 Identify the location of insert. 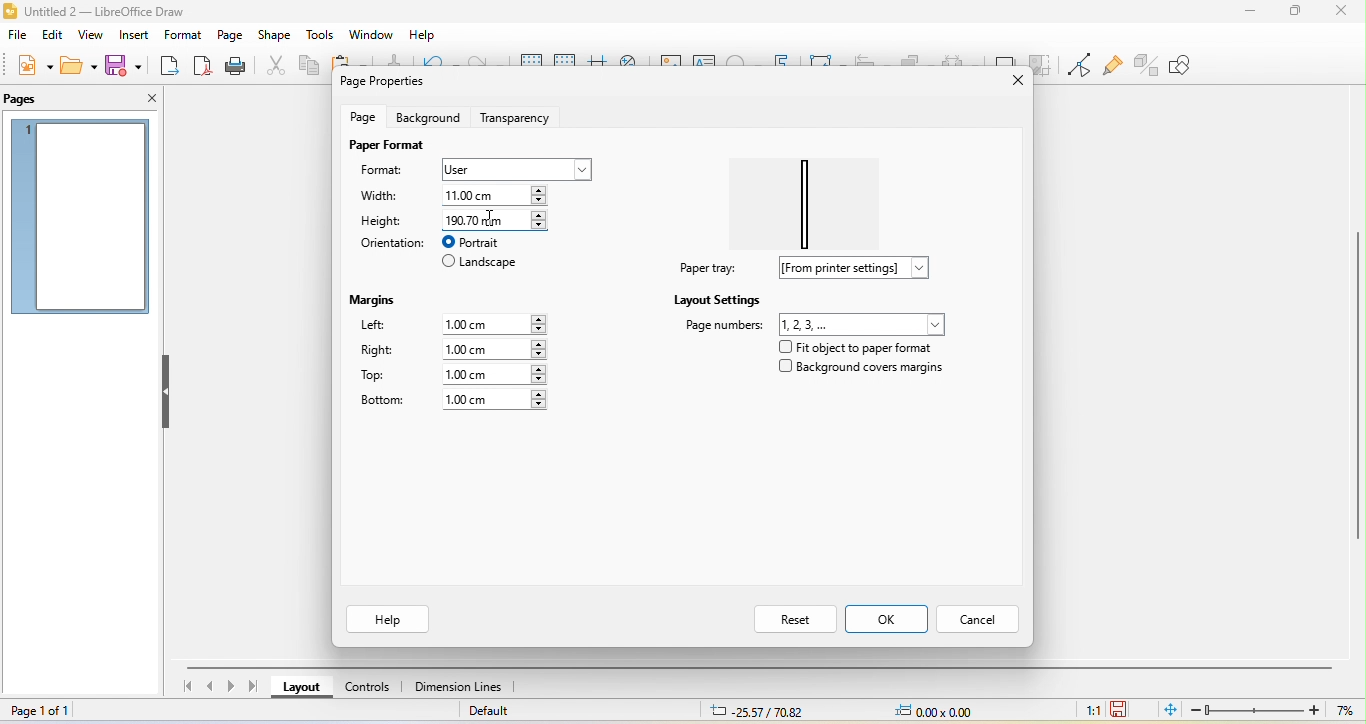
(132, 36).